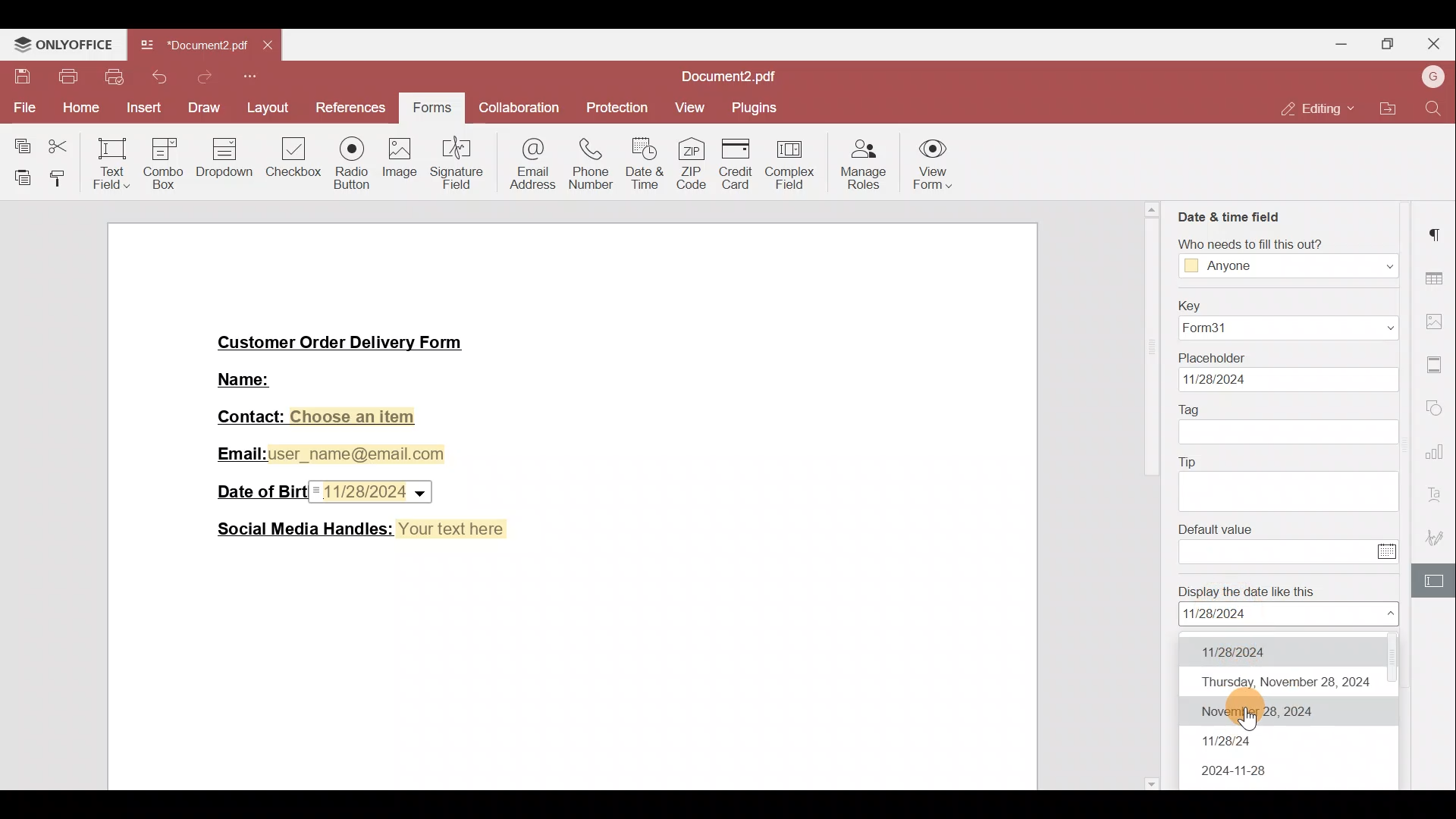 Image resolution: width=1456 pixels, height=819 pixels. Describe the element at coordinates (1389, 42) in the screenshot. I see `Maximise` at that location.